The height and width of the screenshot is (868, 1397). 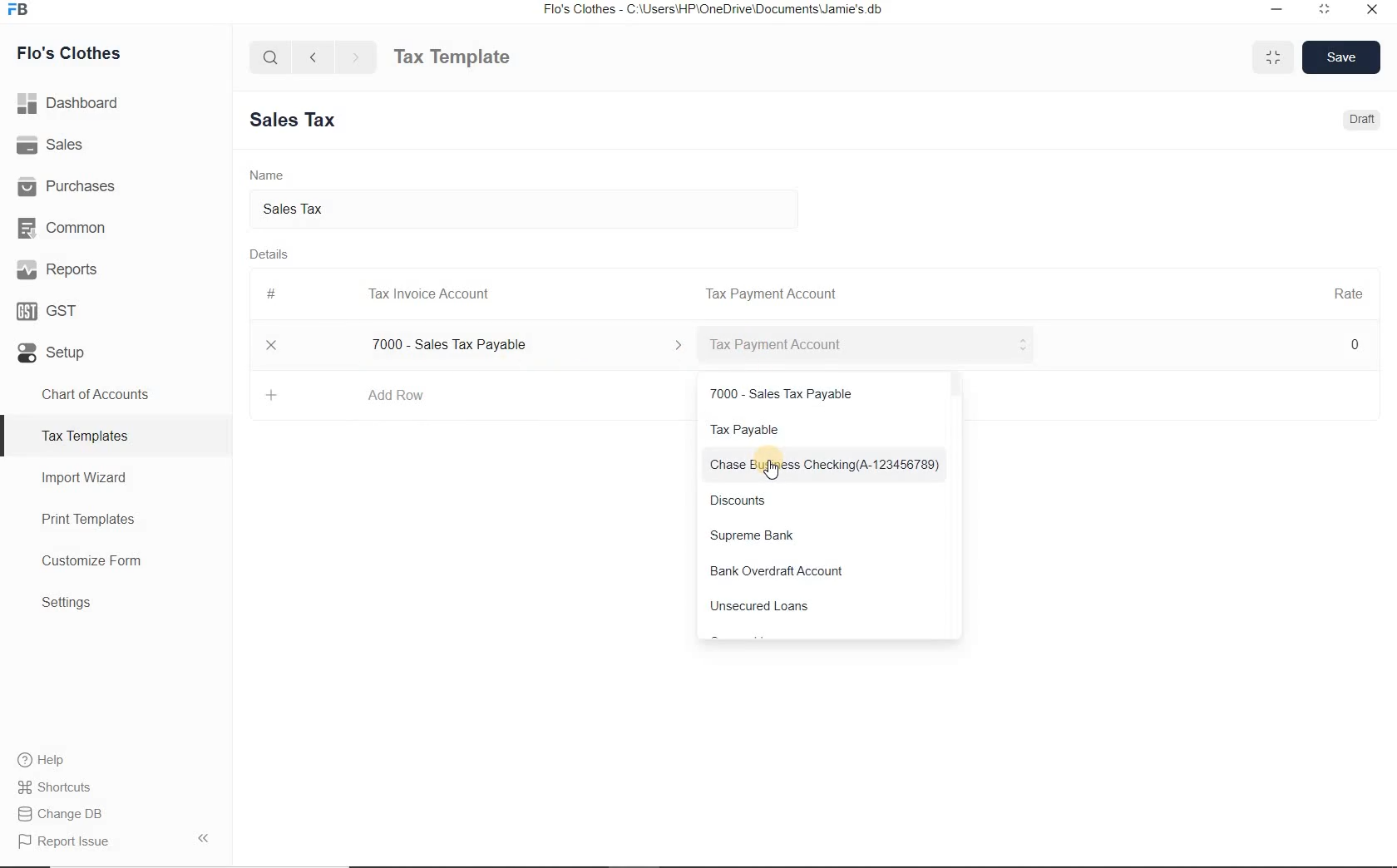 I want to click on Tax Payable, so click(x=826, y=429).